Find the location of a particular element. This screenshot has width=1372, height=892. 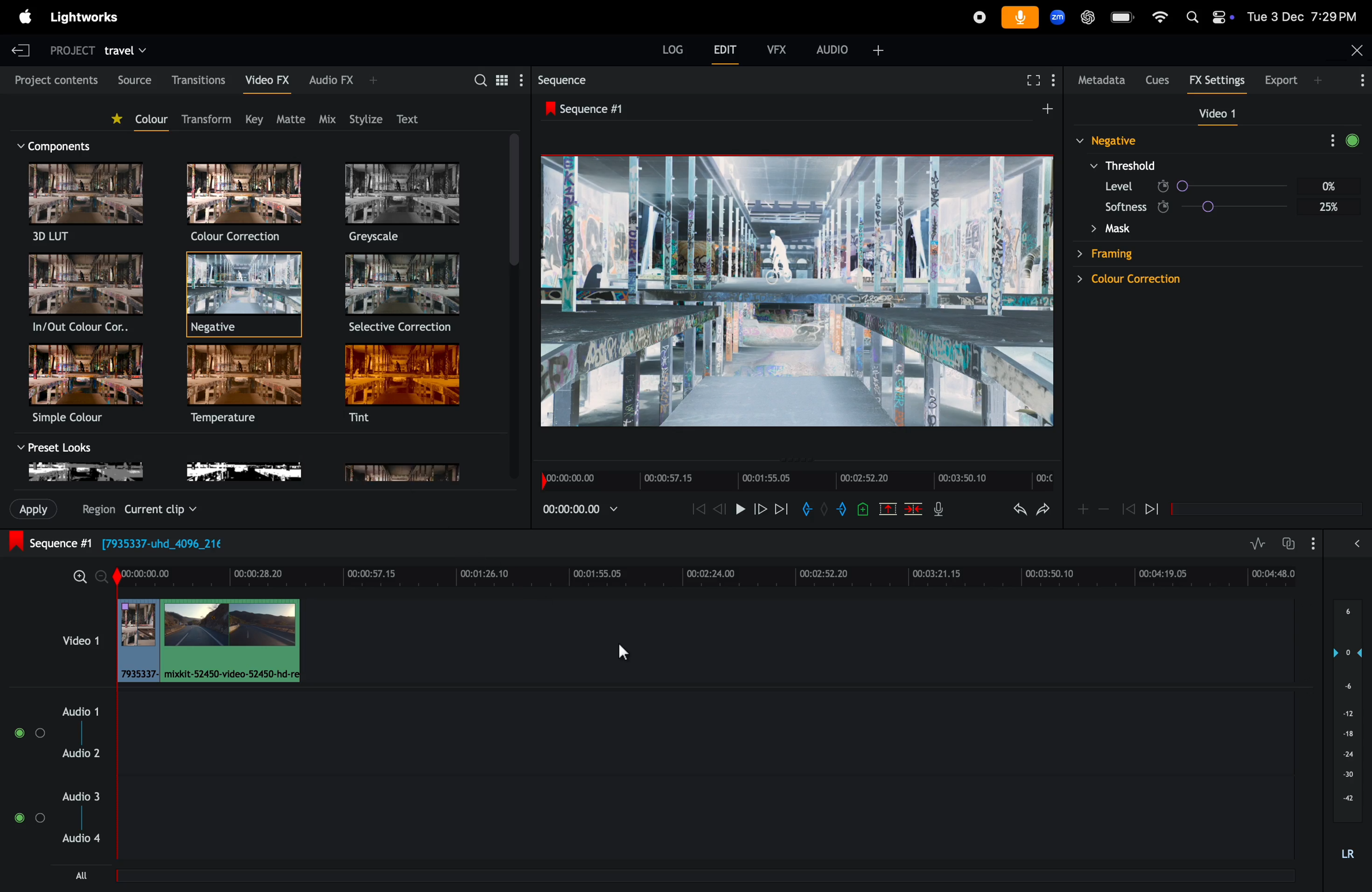

add cue at the current position is located at coordinates (861, 509).